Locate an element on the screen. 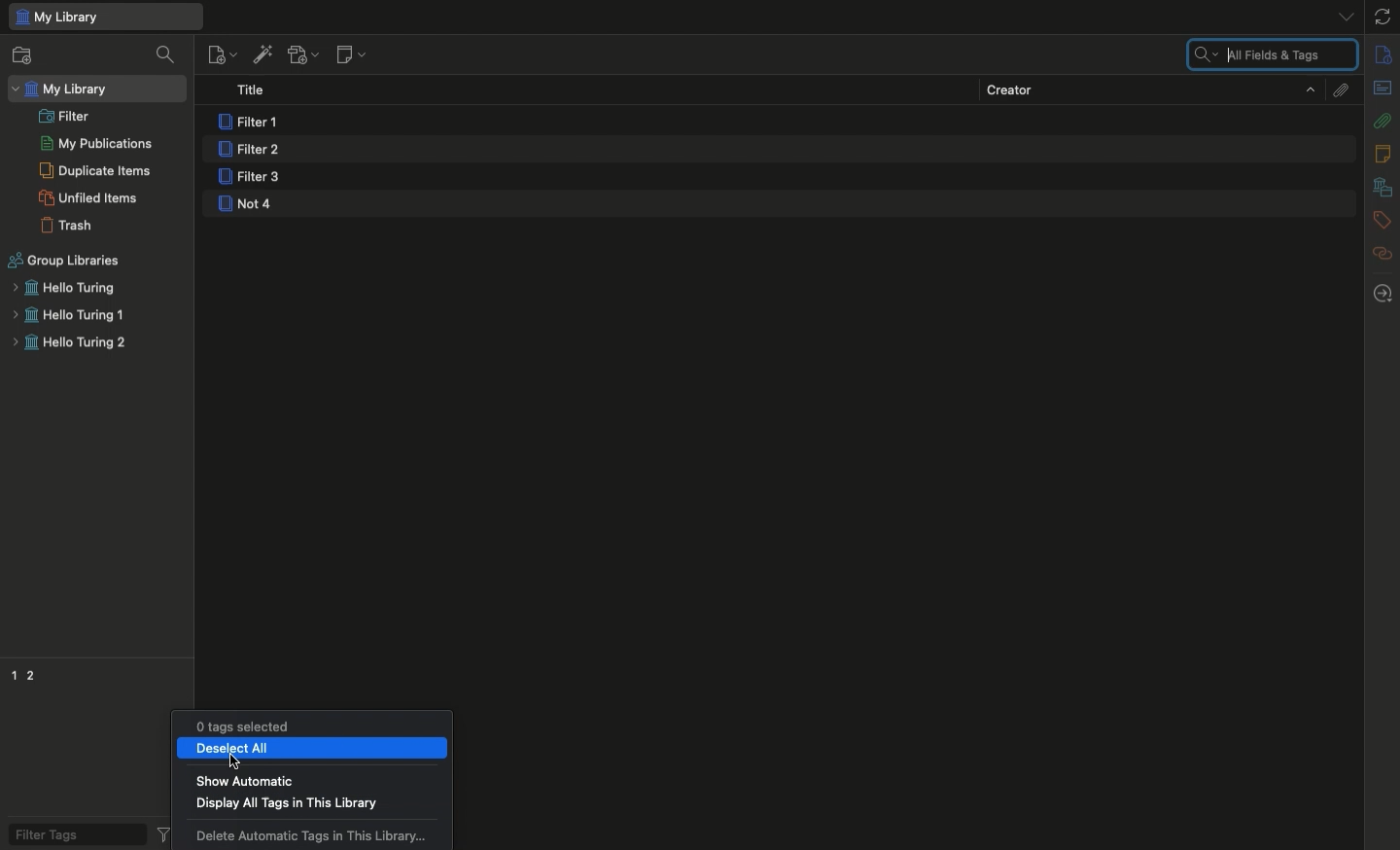 The width and height of the screenshot is (1400, 850). 0 tags selected is located at coordinates (235, 724).